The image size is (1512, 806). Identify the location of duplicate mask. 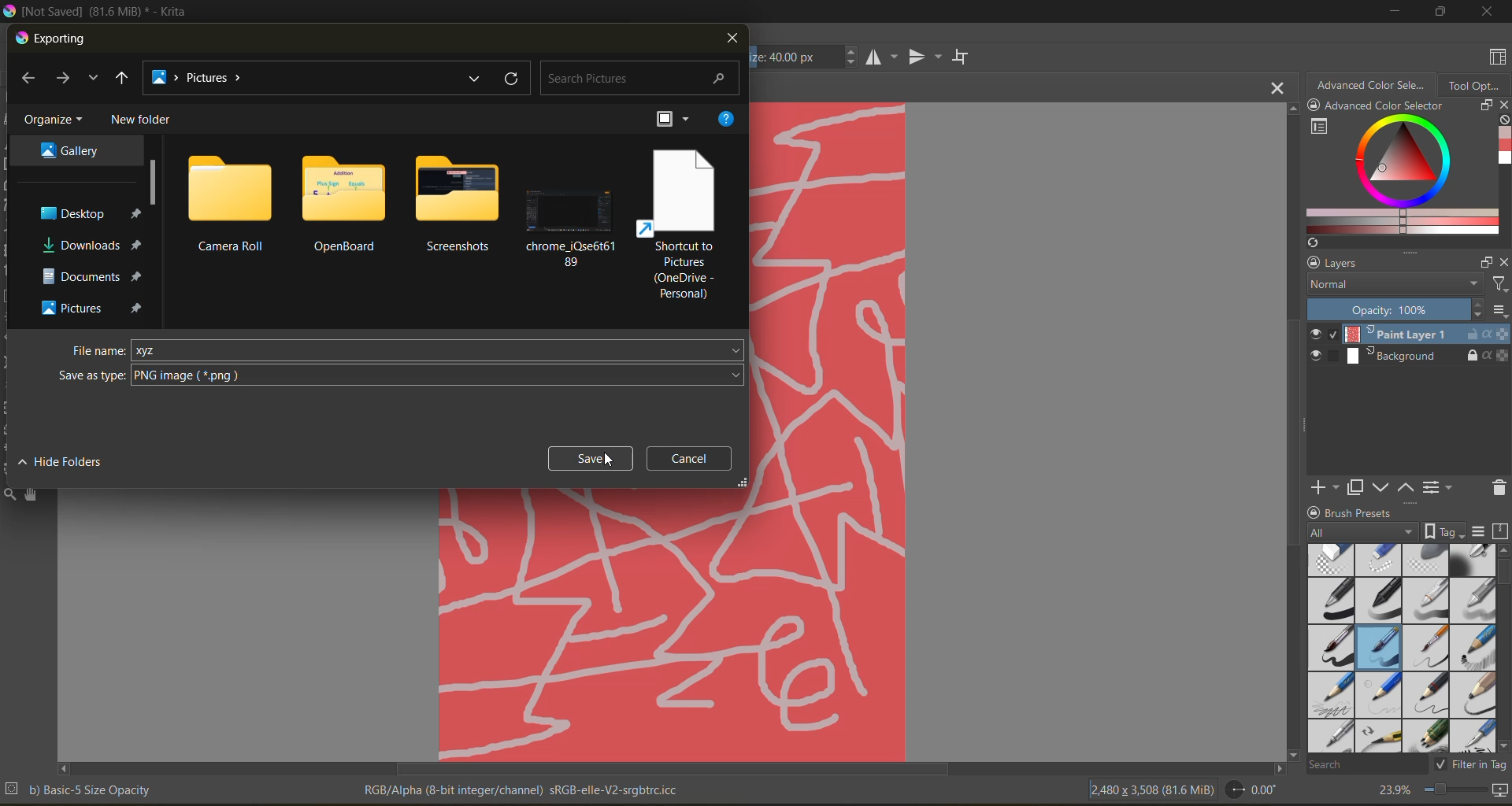
(1355, 488).